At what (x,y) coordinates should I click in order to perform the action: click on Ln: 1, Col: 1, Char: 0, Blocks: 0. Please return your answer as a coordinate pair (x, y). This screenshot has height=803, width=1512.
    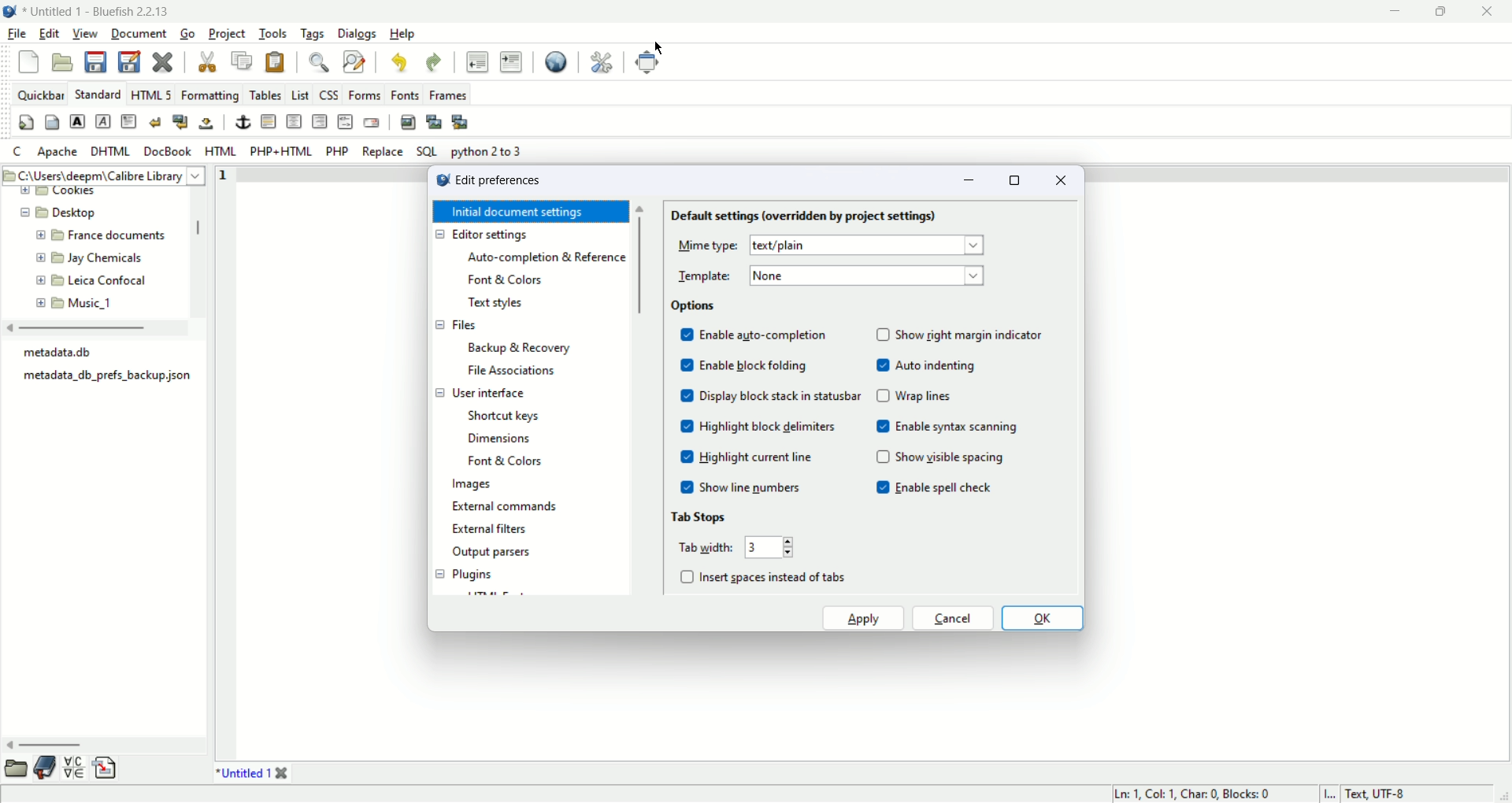
    Looking at the image, I should click on (1188, 792).